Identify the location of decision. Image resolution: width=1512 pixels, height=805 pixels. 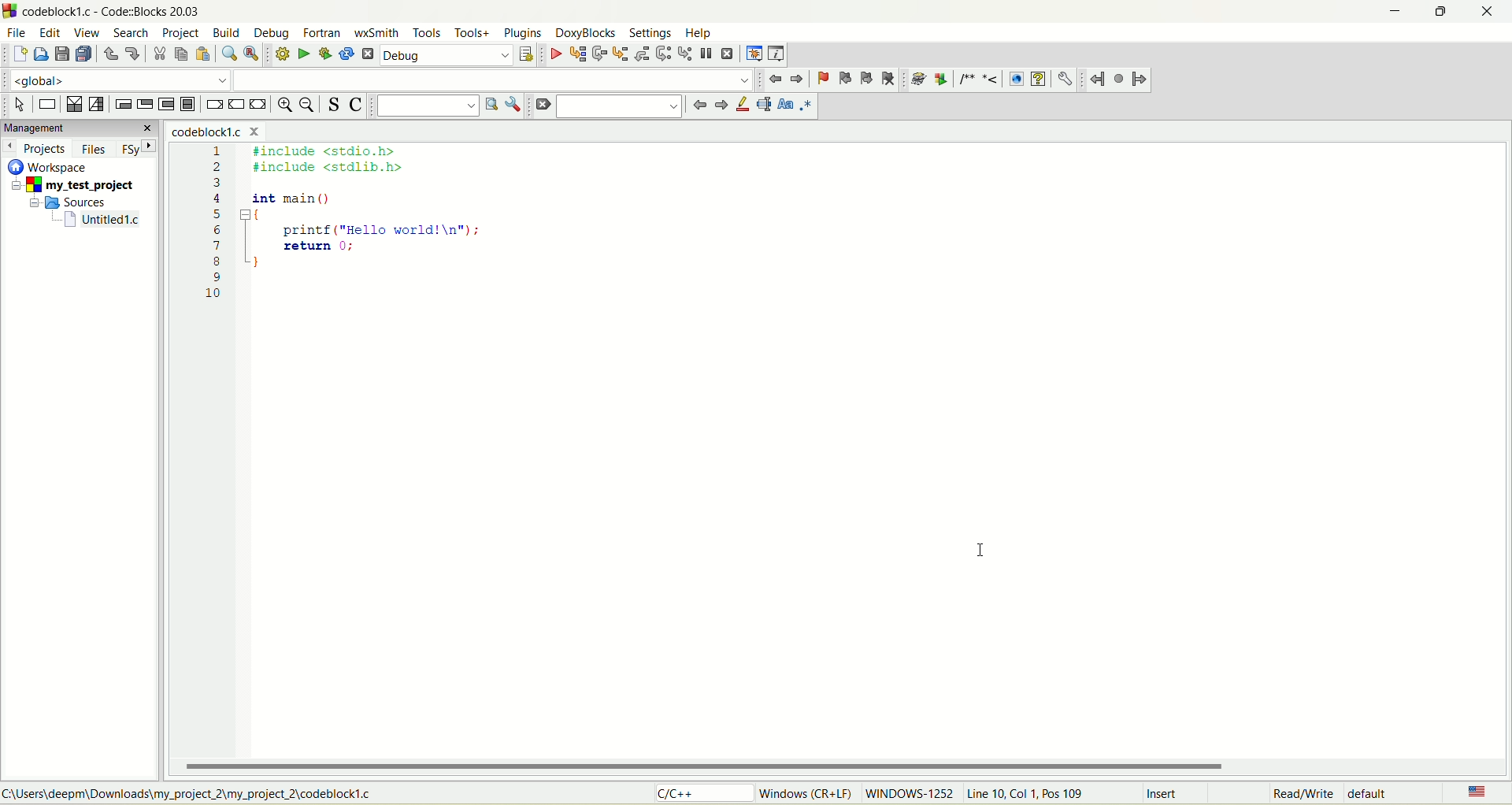
(73, 105).